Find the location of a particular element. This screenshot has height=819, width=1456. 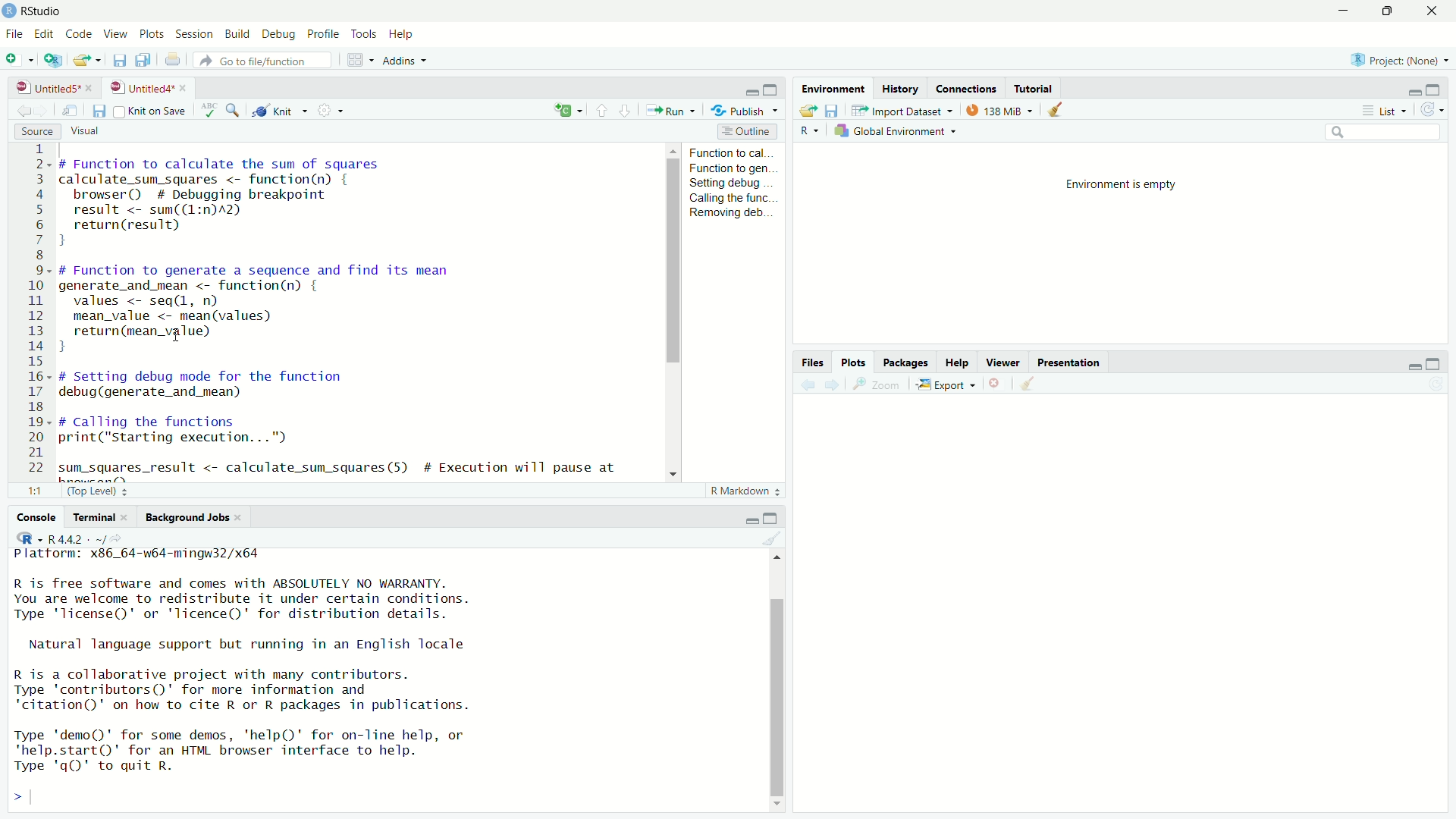

create a project is located at coordinates (52, 58).